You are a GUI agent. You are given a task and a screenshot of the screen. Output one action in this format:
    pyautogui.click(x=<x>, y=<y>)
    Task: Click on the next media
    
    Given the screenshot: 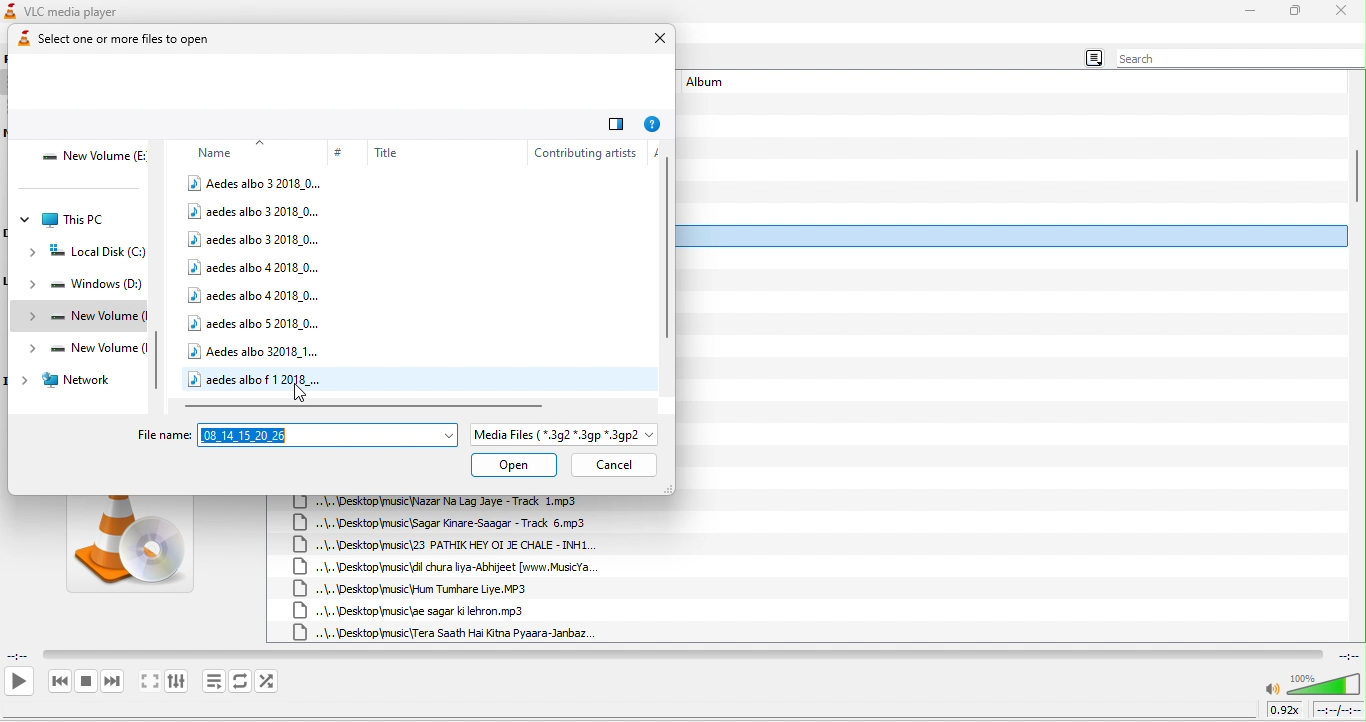 What is the action you would take?
    pyautogui.click(x=113, y=683)
    